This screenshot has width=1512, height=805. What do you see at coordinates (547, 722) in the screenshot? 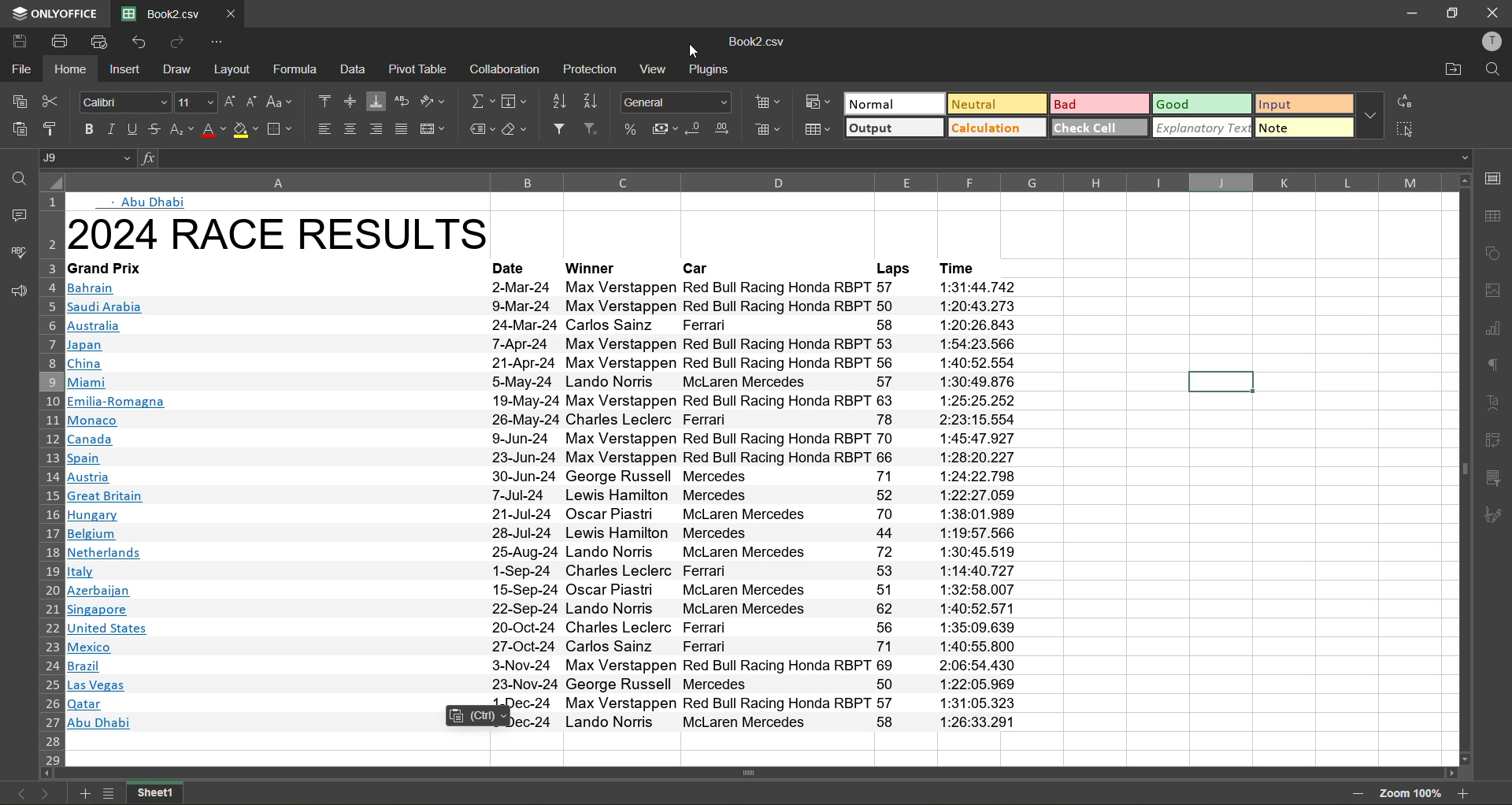
I see `text info` at bounding box center [547, 722].